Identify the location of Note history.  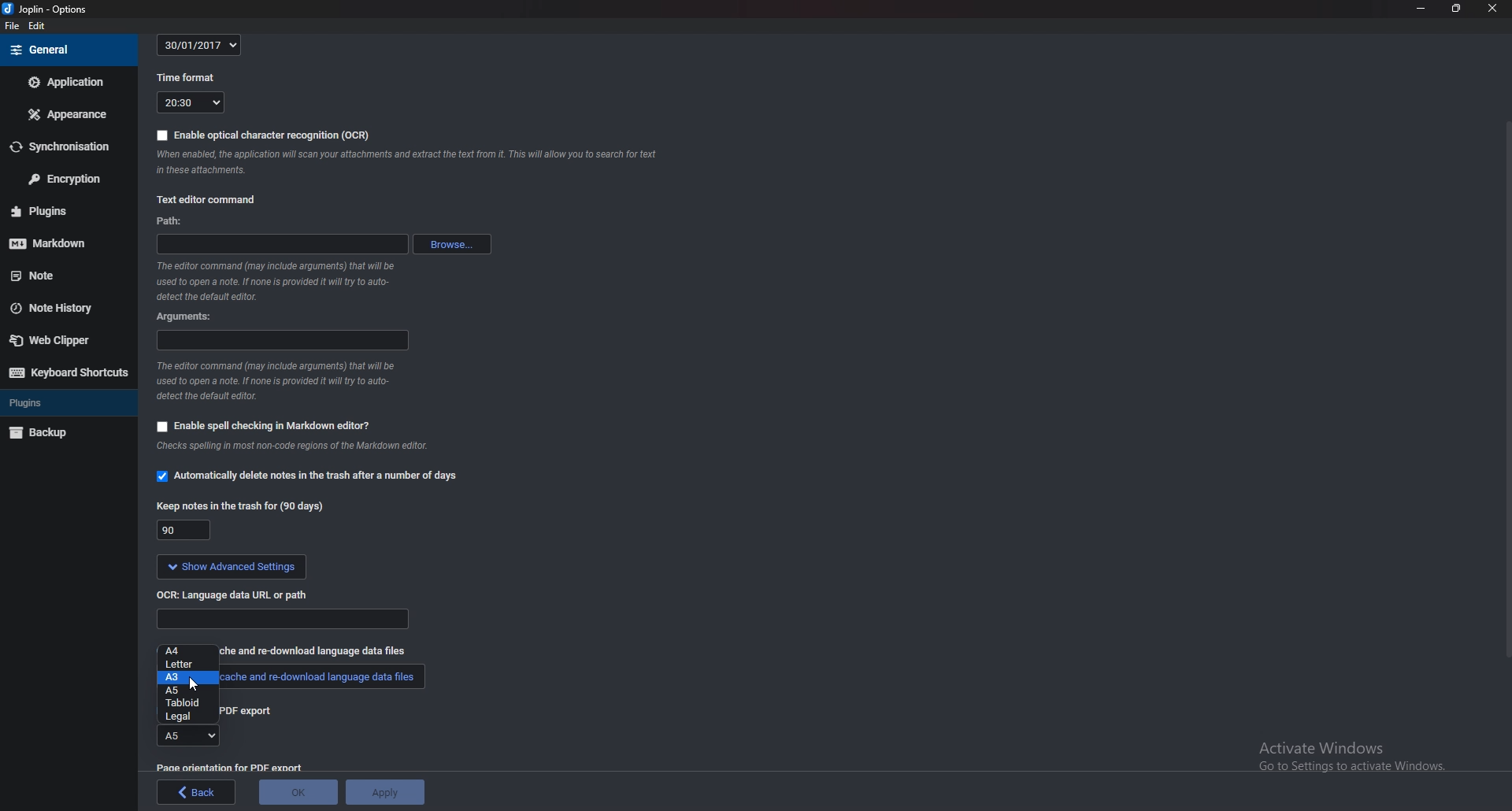
(61, 309).